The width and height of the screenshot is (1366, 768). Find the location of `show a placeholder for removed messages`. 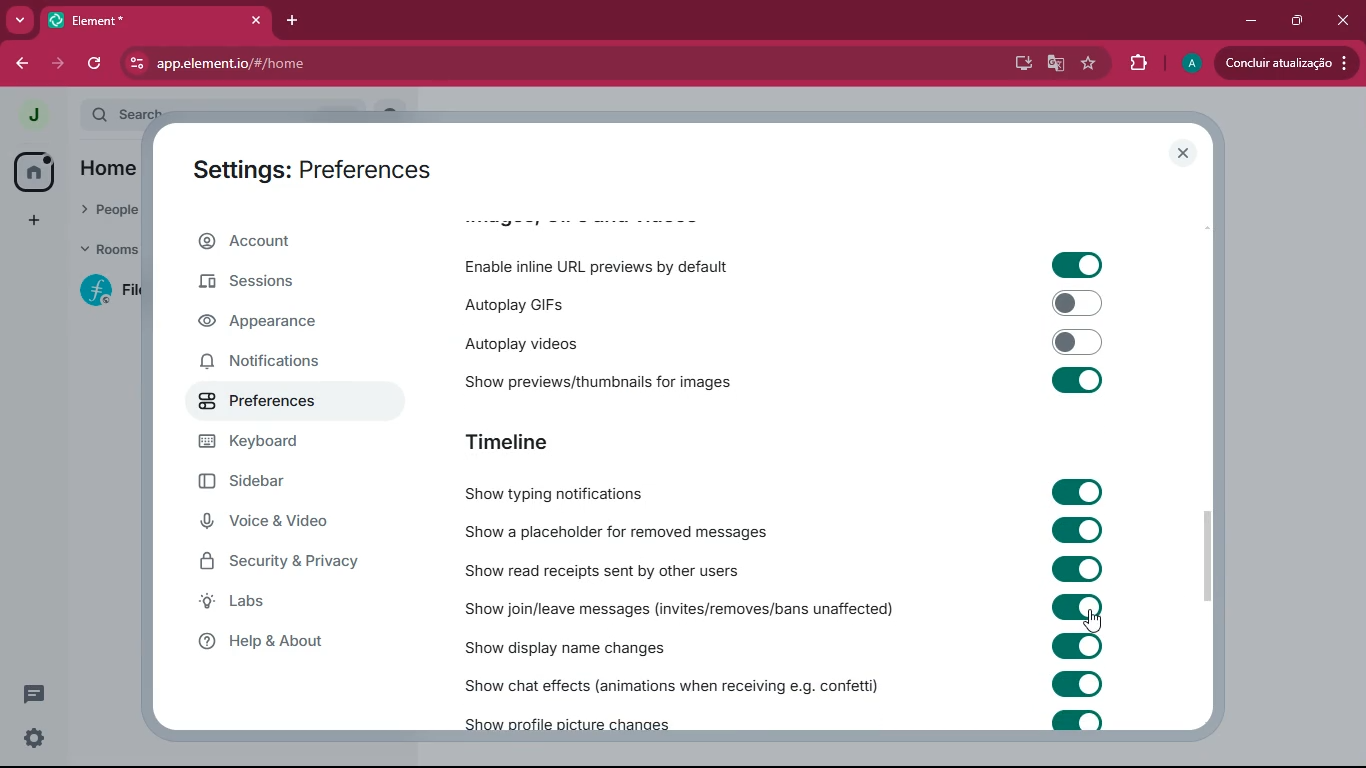

show a placeholder for removed messages is located at coordinates (616, 533).